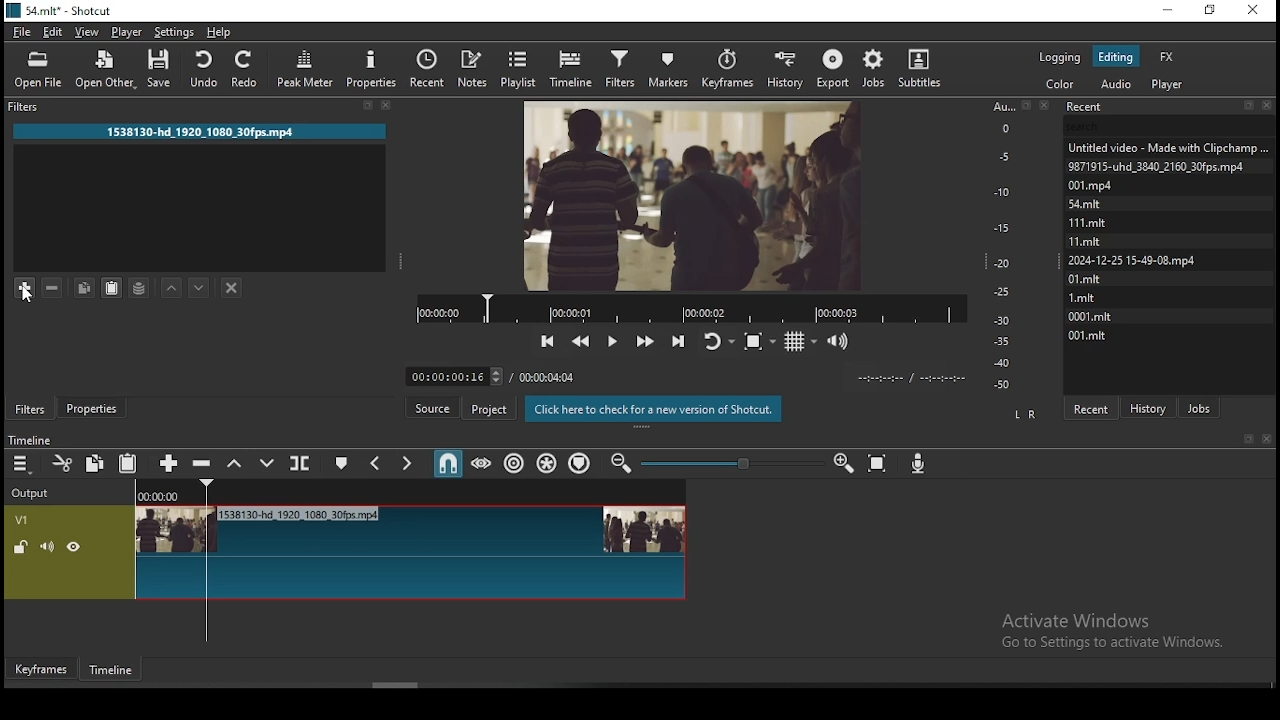 The width and height of the screenshot is (1280, 720). Describe the element at coordinates (176, 30) in the screenshot. I see `settings` at that location.